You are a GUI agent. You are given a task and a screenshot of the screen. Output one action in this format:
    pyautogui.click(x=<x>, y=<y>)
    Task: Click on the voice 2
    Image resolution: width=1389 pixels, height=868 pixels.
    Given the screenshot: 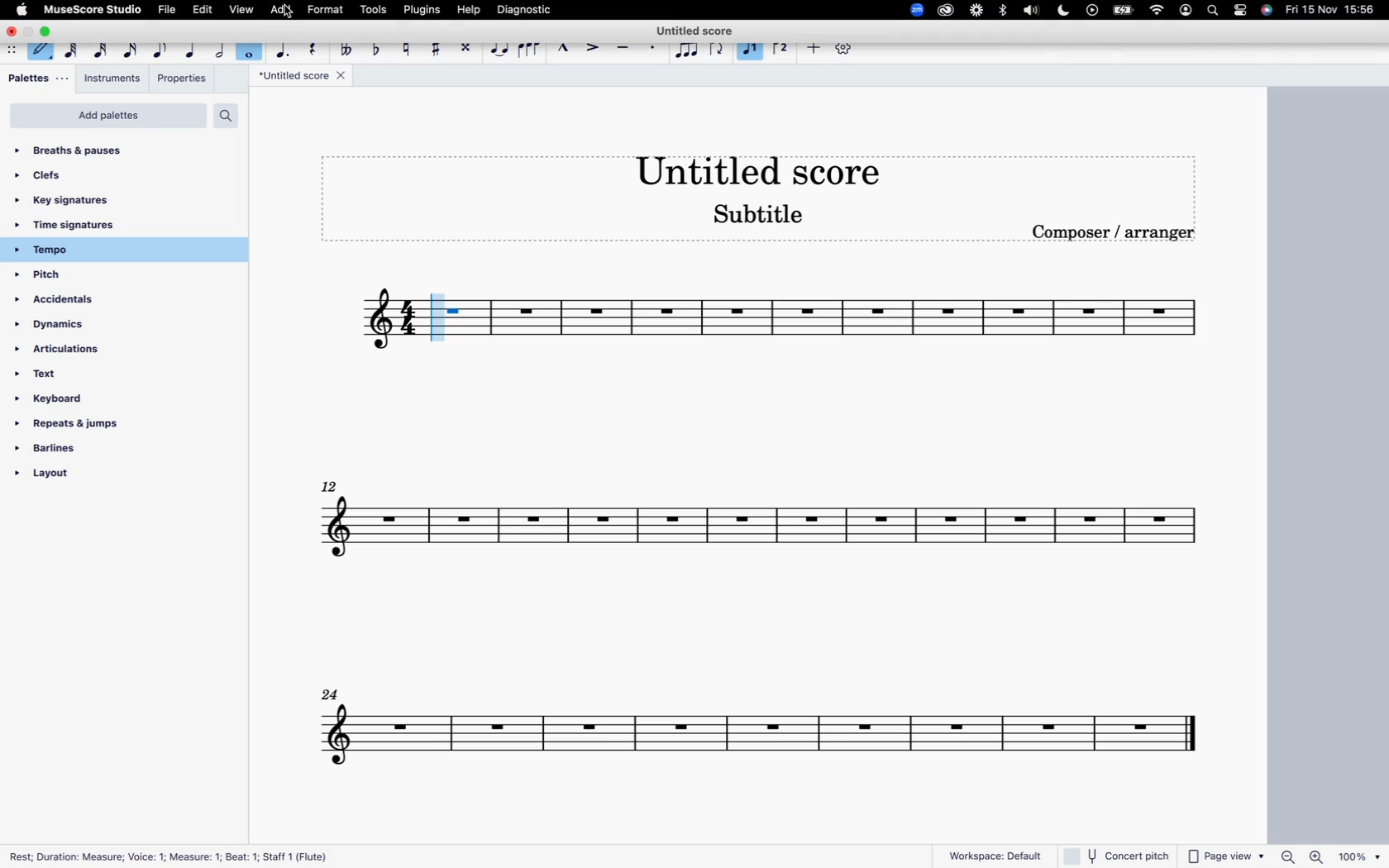 What is the action you would take?
    pyautogui.click(x=780, y=45)
    